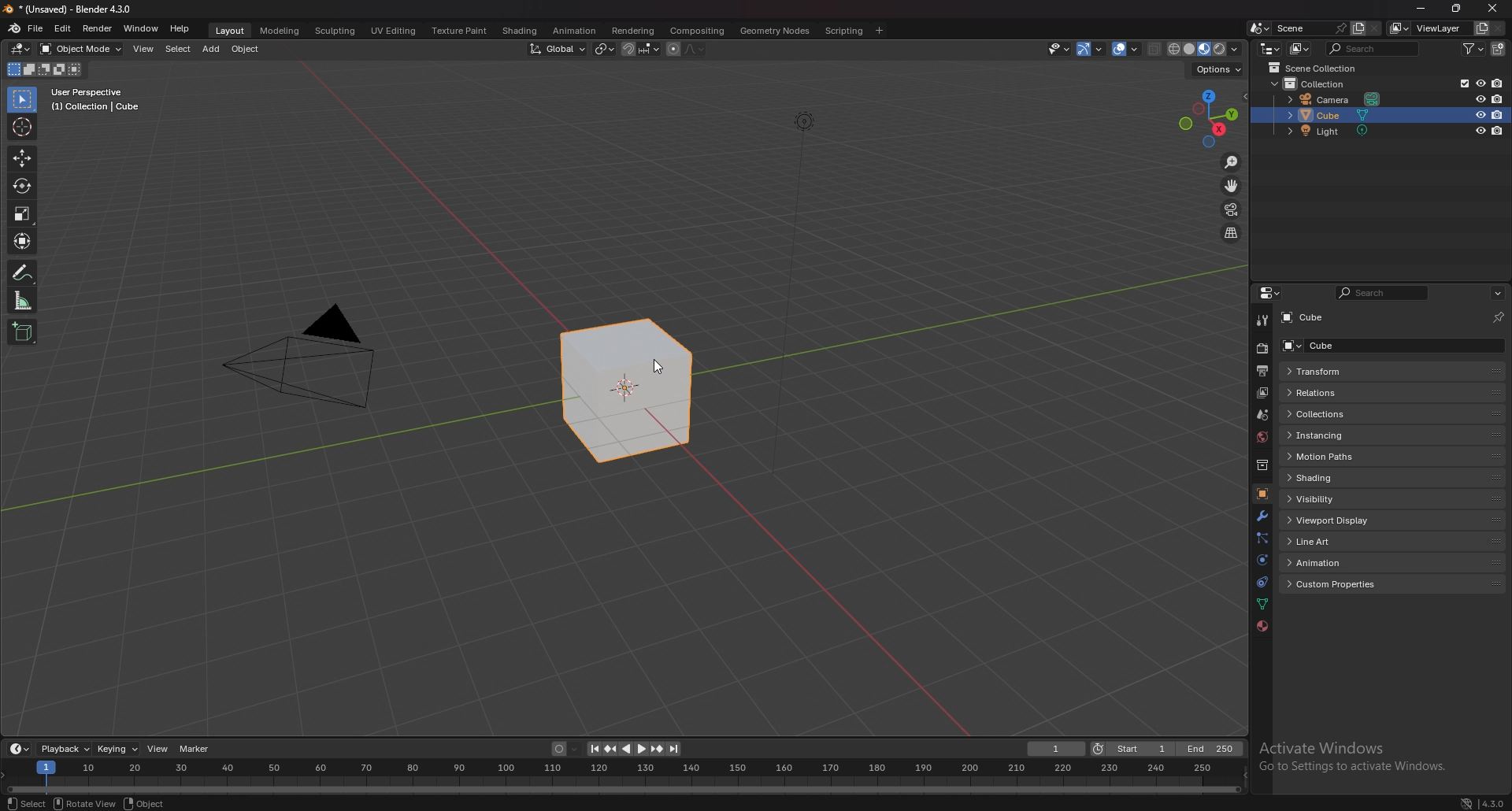 The width and height of the screenshot is (1512, 811). I want to click on jump to keyframe, so click(612, 749).